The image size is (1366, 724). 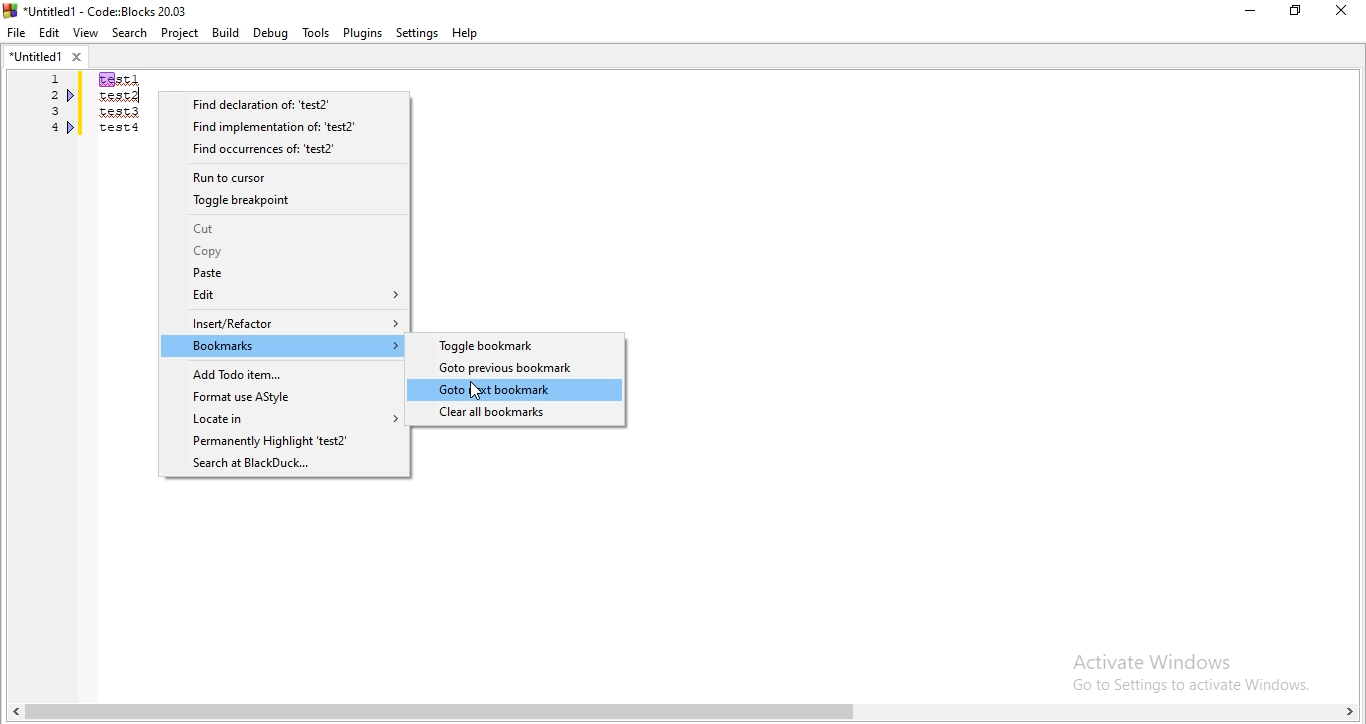 What do you see at coordinates (518, 367) in the screenshot?
I see `Goto previous bookmark` at bounding box center [518, 367].